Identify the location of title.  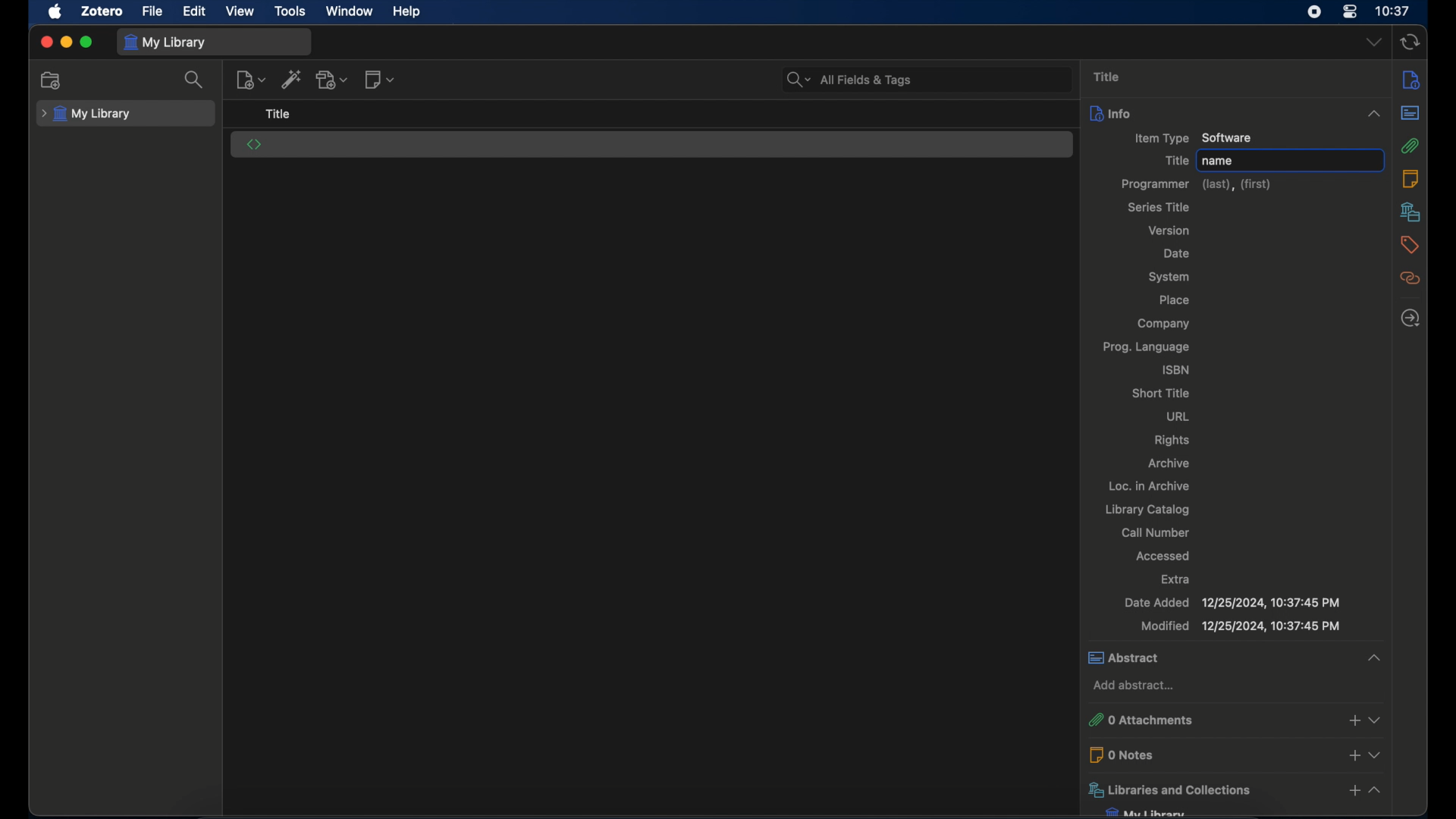
(1173, 160).